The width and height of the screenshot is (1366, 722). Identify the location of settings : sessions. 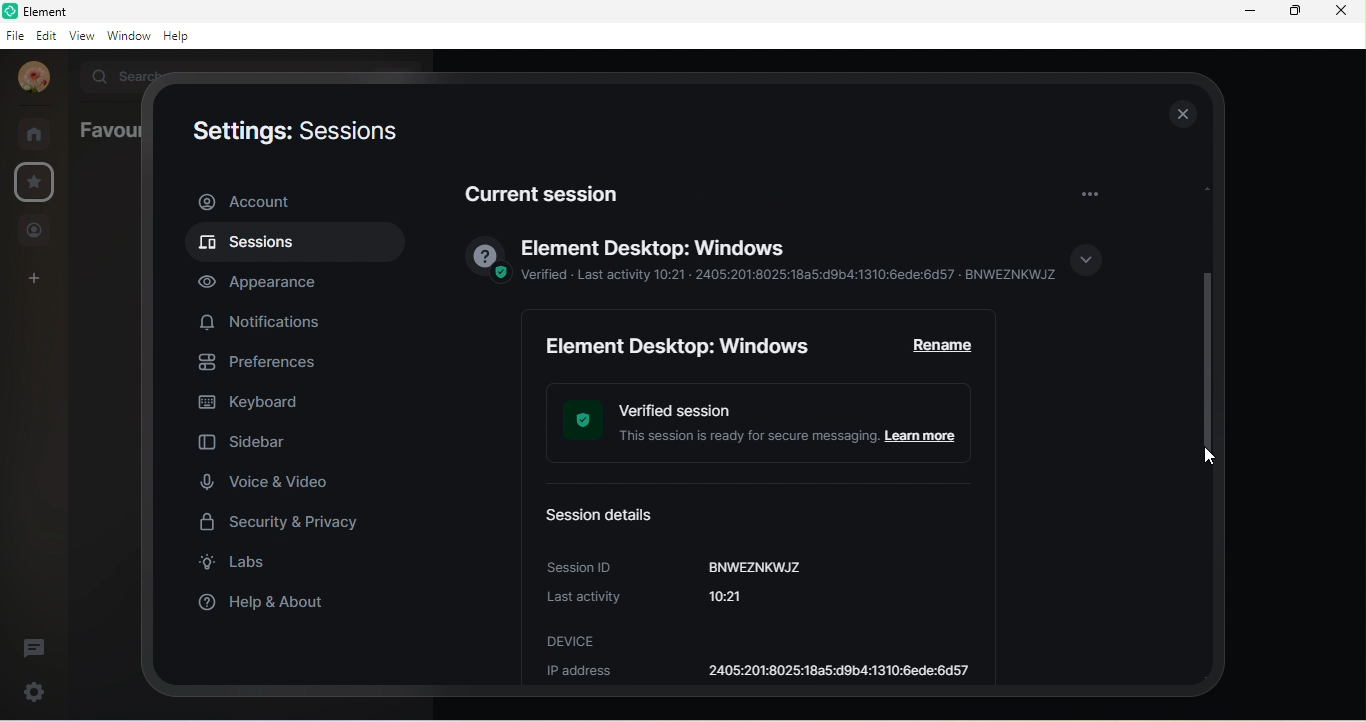
(292, 134).